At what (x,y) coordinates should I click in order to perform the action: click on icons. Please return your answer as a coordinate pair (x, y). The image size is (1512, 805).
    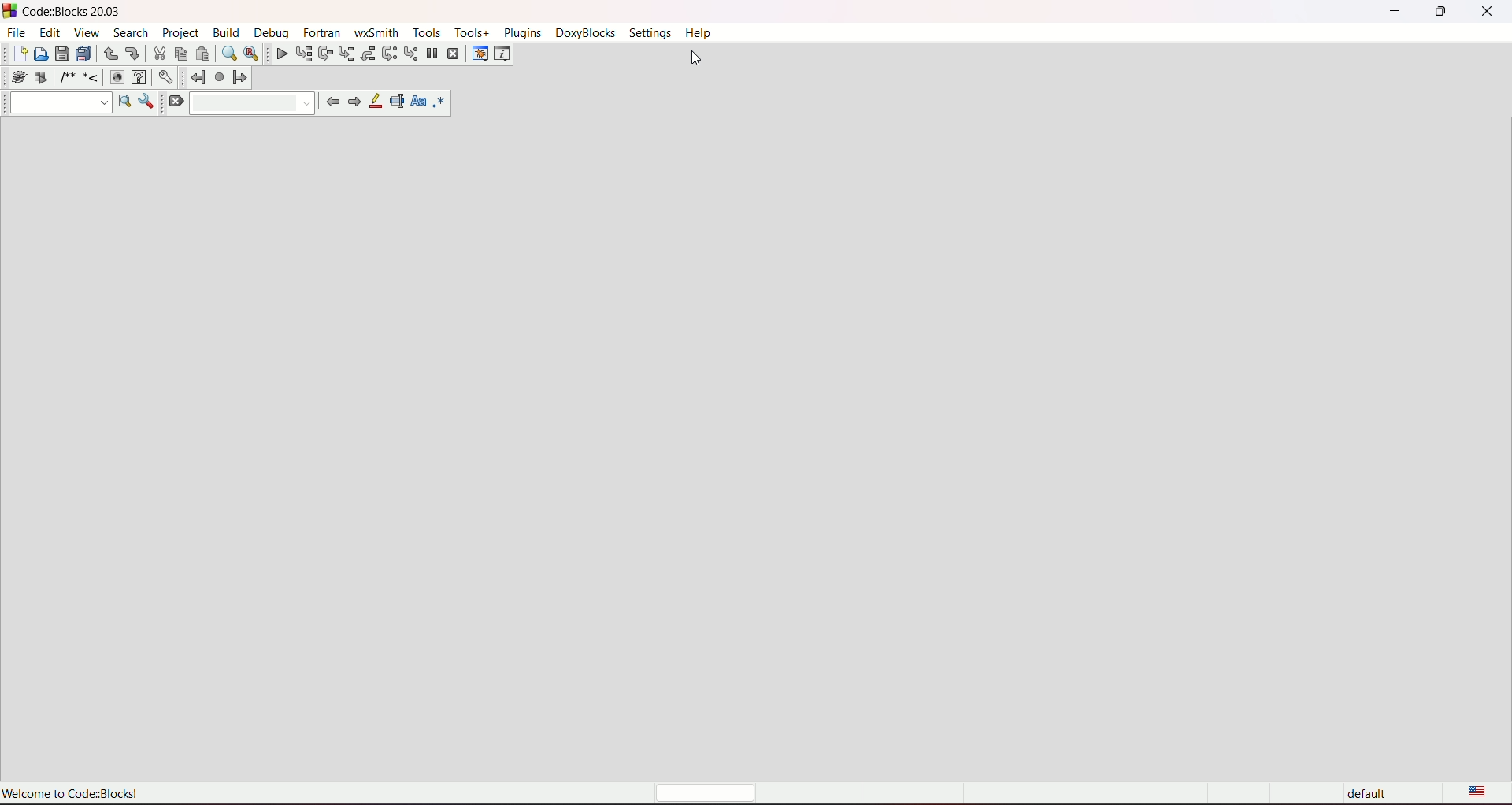
    Looking at the image, I should click on (51, 76).